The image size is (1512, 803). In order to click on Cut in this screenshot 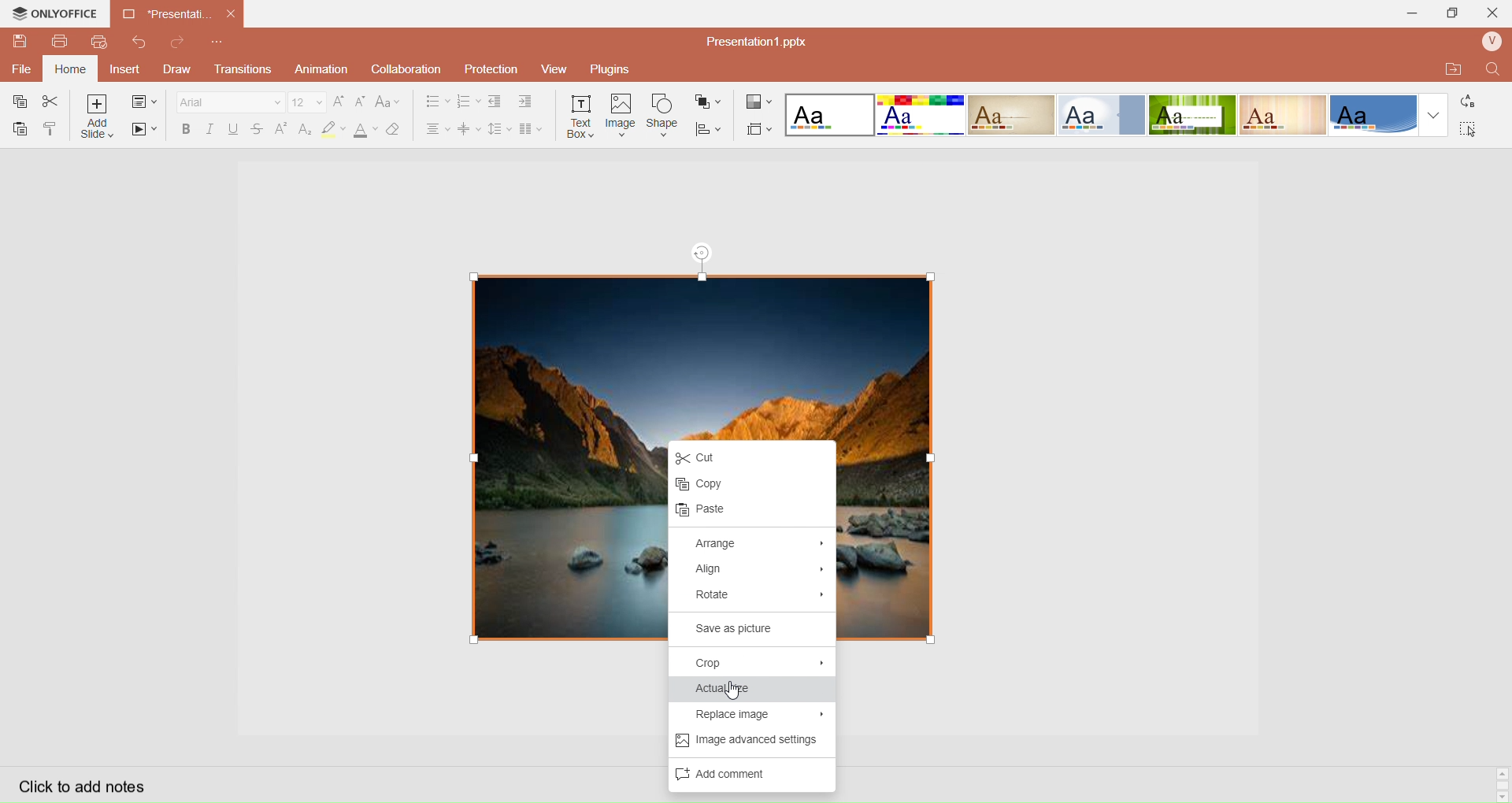, I will do `click(753, 459)`.